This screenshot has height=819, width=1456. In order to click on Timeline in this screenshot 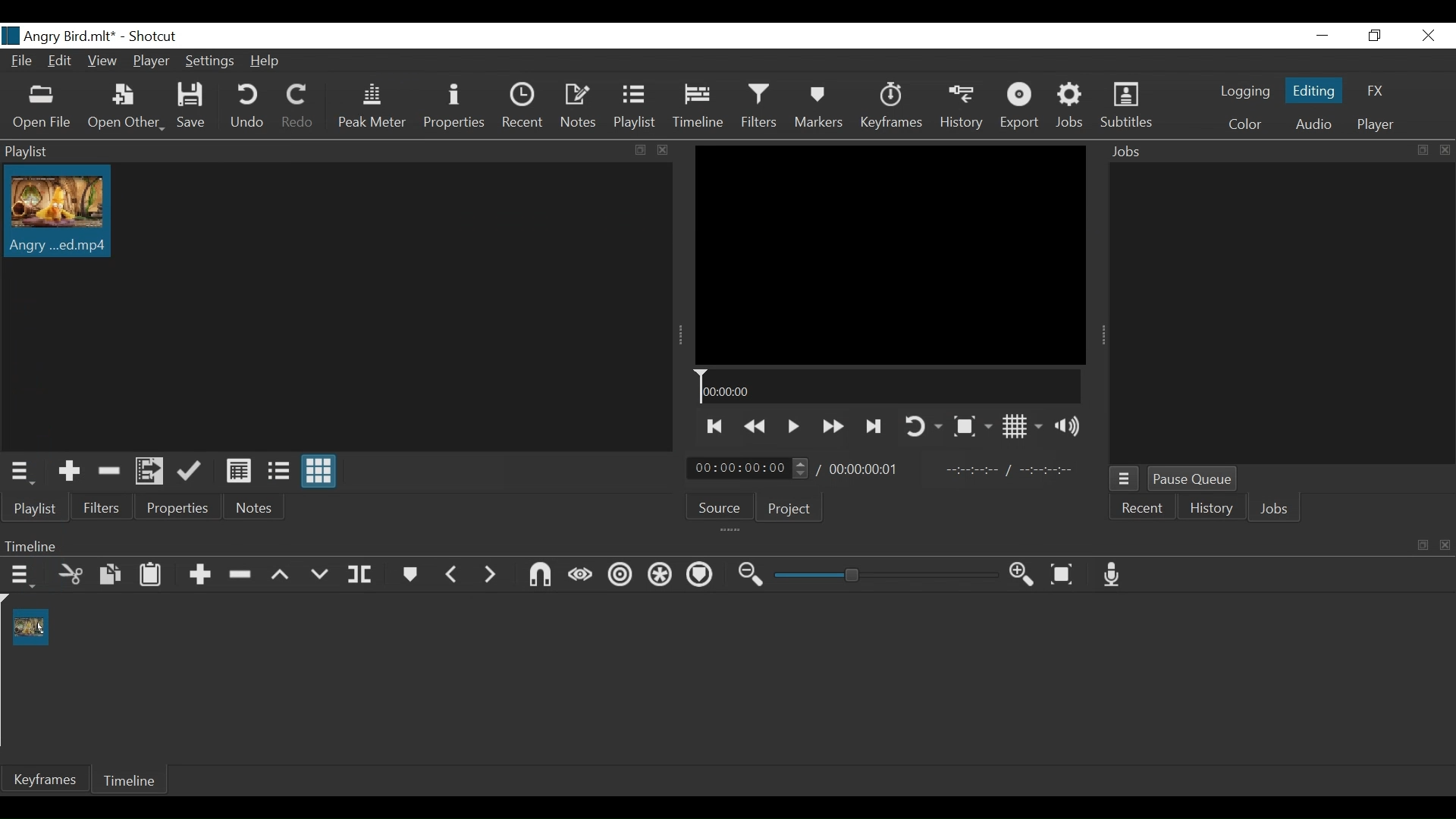, I will do `click(889, 386)`.